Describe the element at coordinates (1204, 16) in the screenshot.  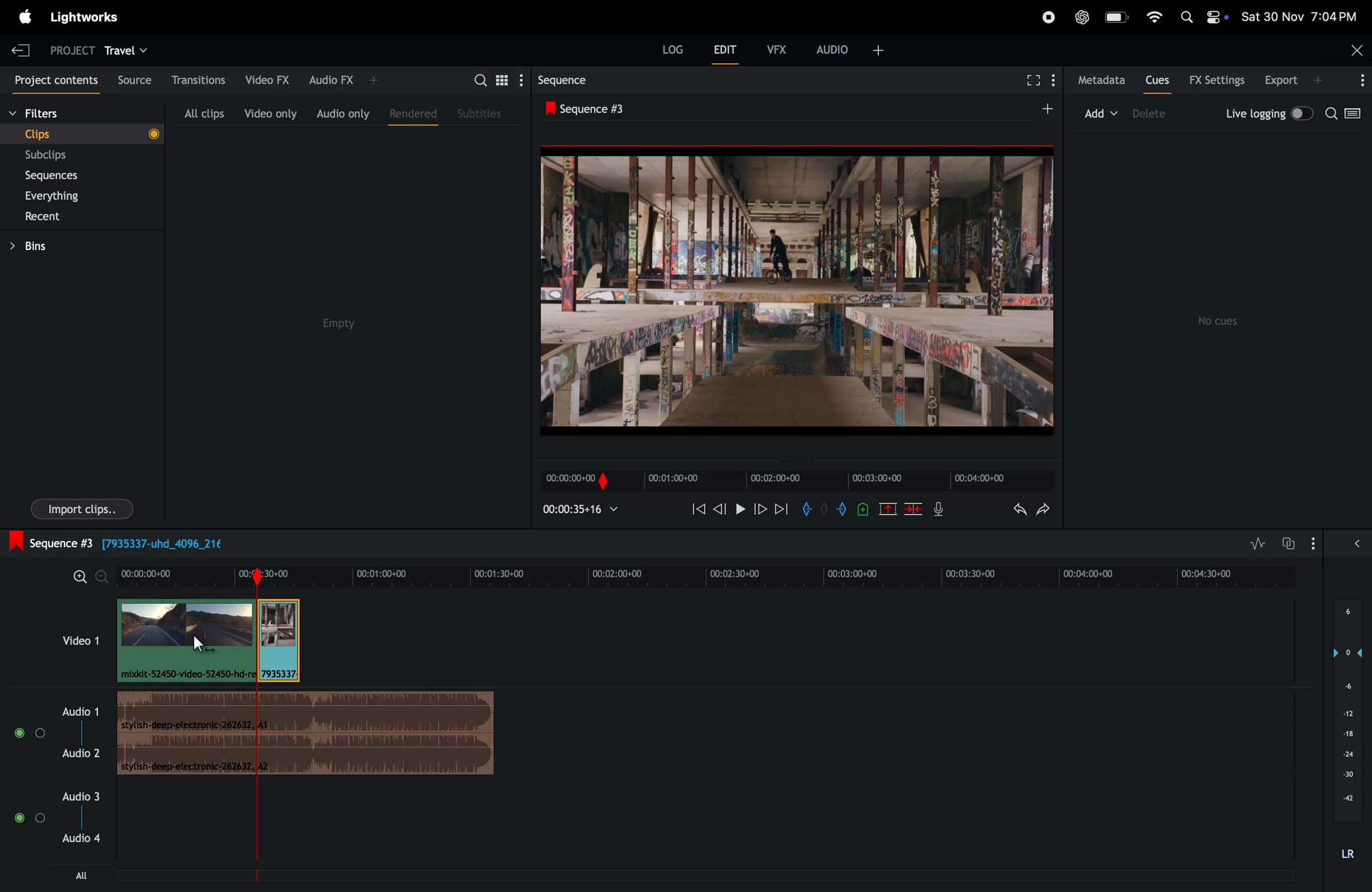
I see `apple widgets` at that location.